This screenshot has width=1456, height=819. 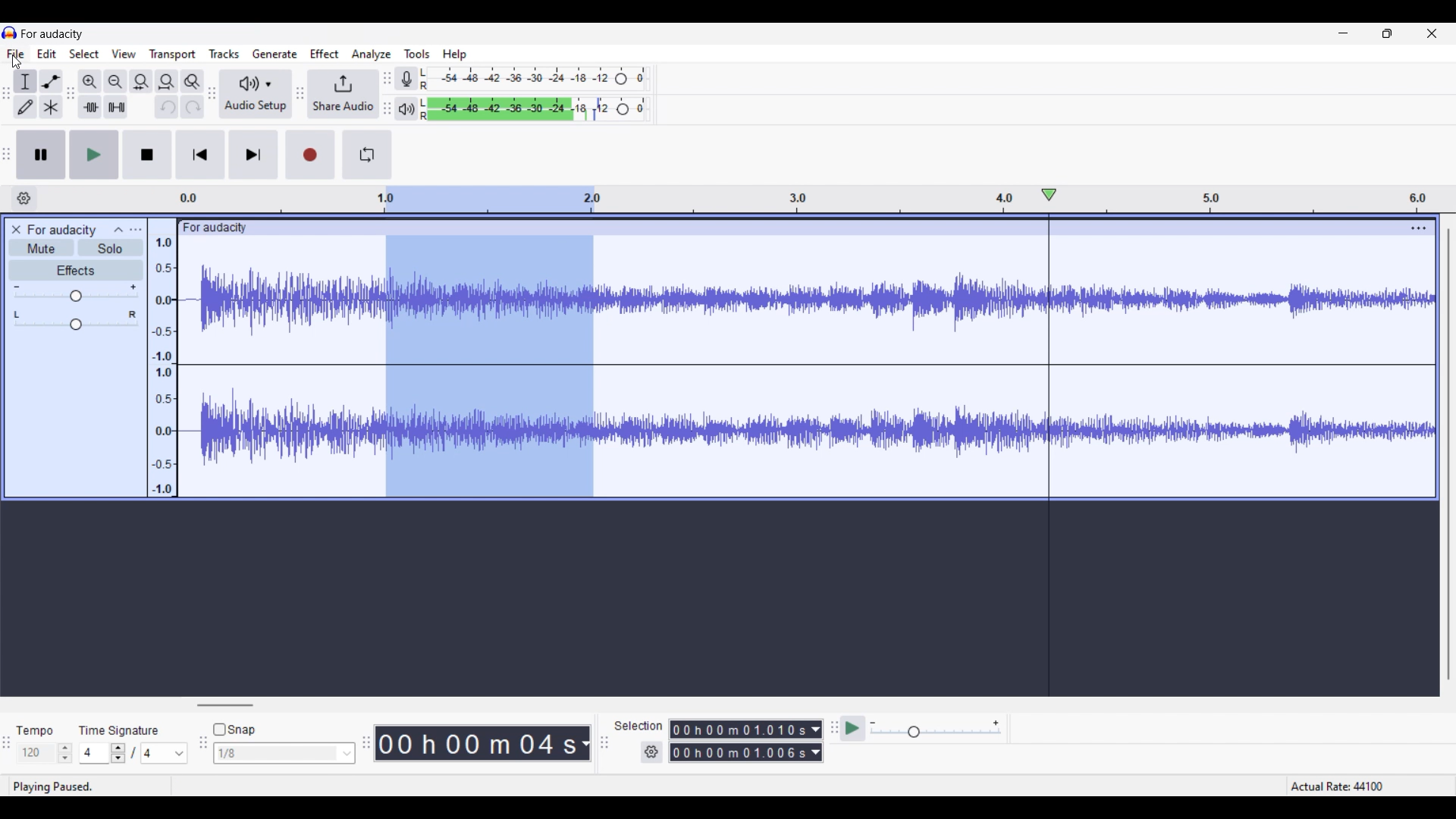 I want to click on Tools menu, so click(x=417, y=54).